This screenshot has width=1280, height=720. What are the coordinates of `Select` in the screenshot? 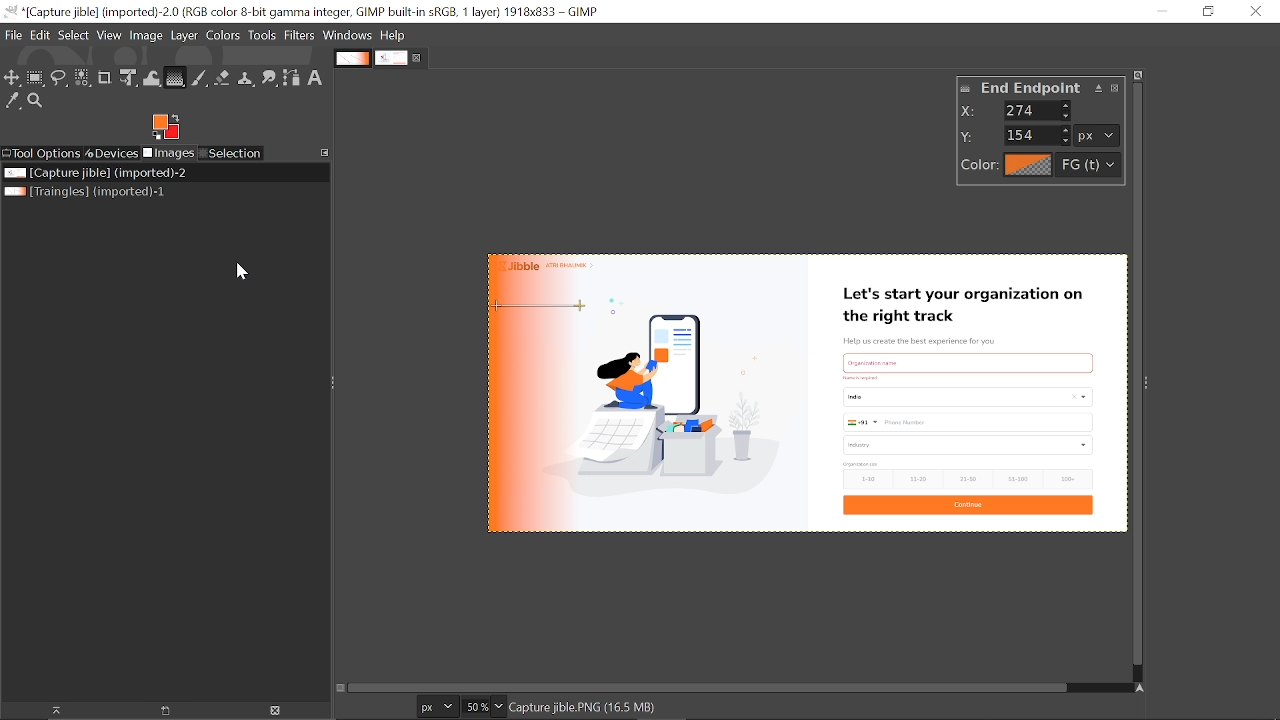 It's located at (73, 36).